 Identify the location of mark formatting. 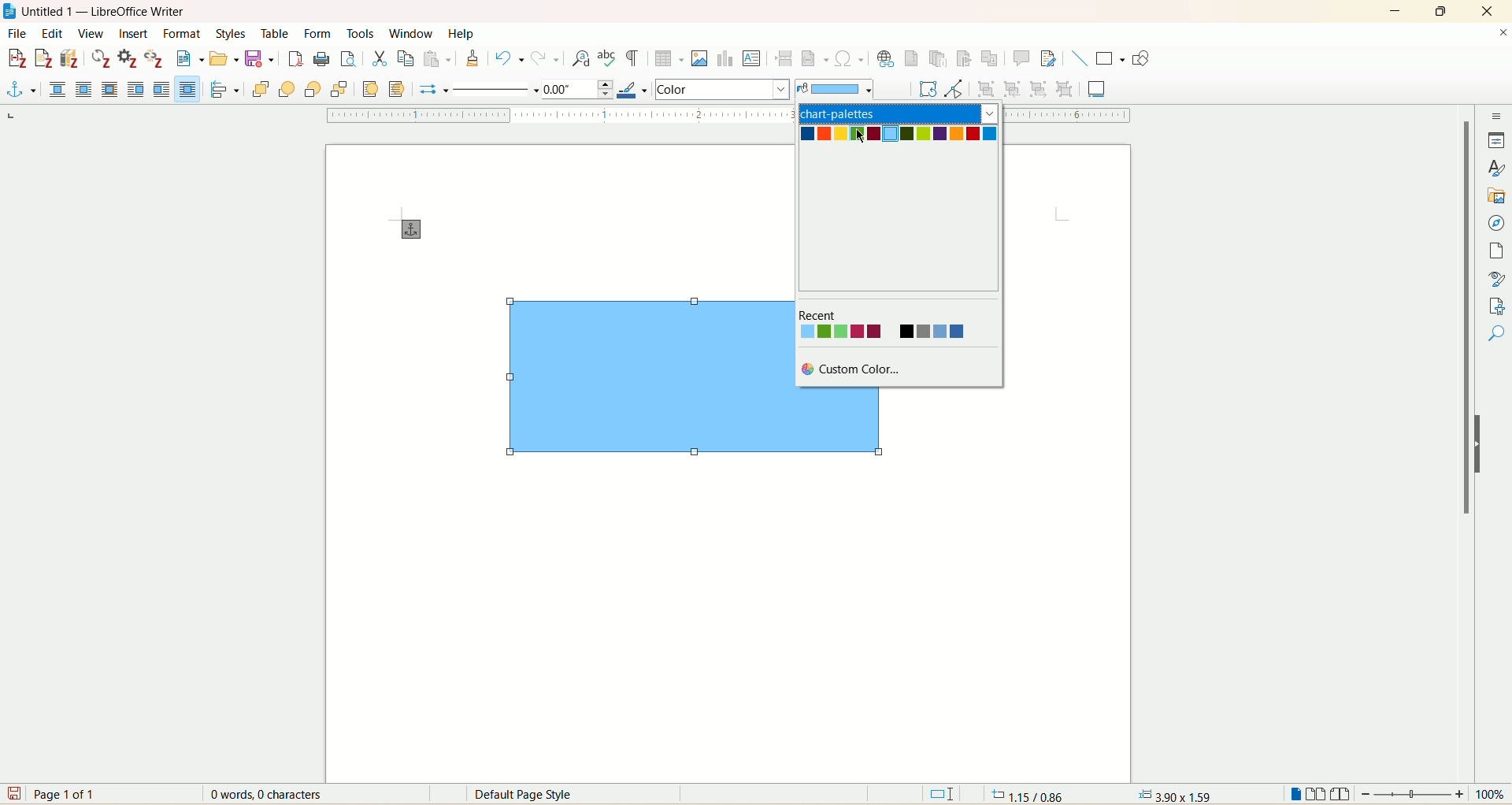
(636, 61).